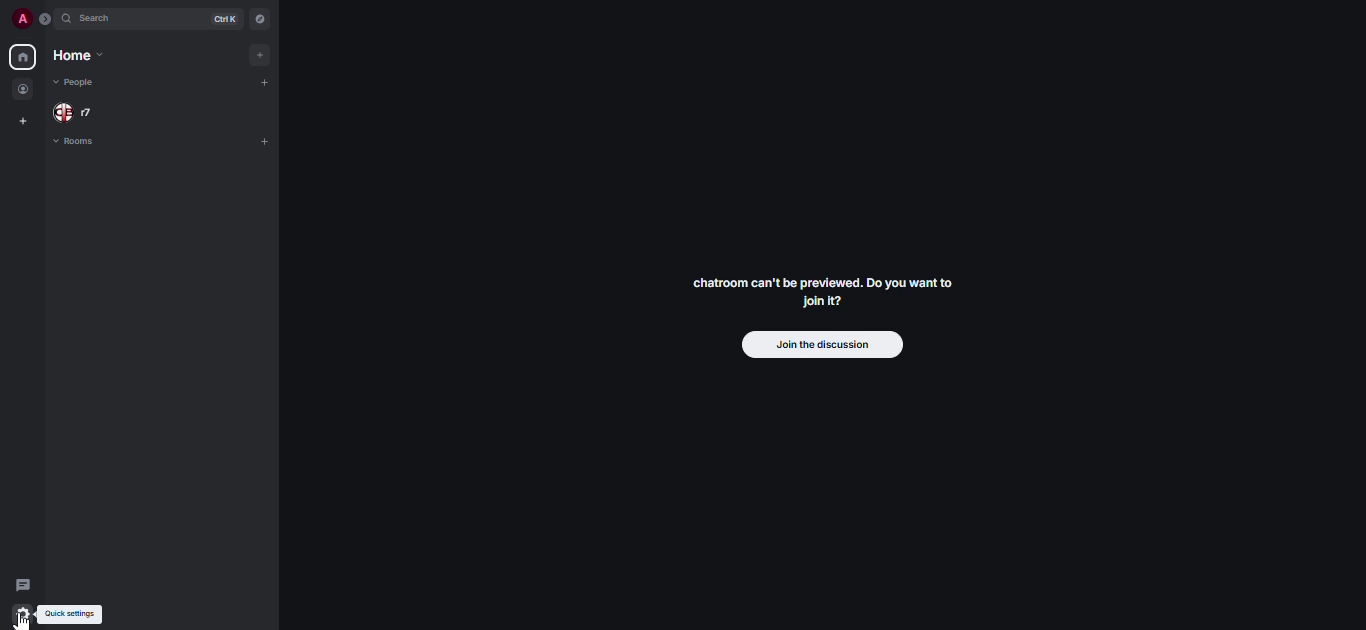 This screenshot has width=1366, height=630. I want to click on search, so click(96, 19).